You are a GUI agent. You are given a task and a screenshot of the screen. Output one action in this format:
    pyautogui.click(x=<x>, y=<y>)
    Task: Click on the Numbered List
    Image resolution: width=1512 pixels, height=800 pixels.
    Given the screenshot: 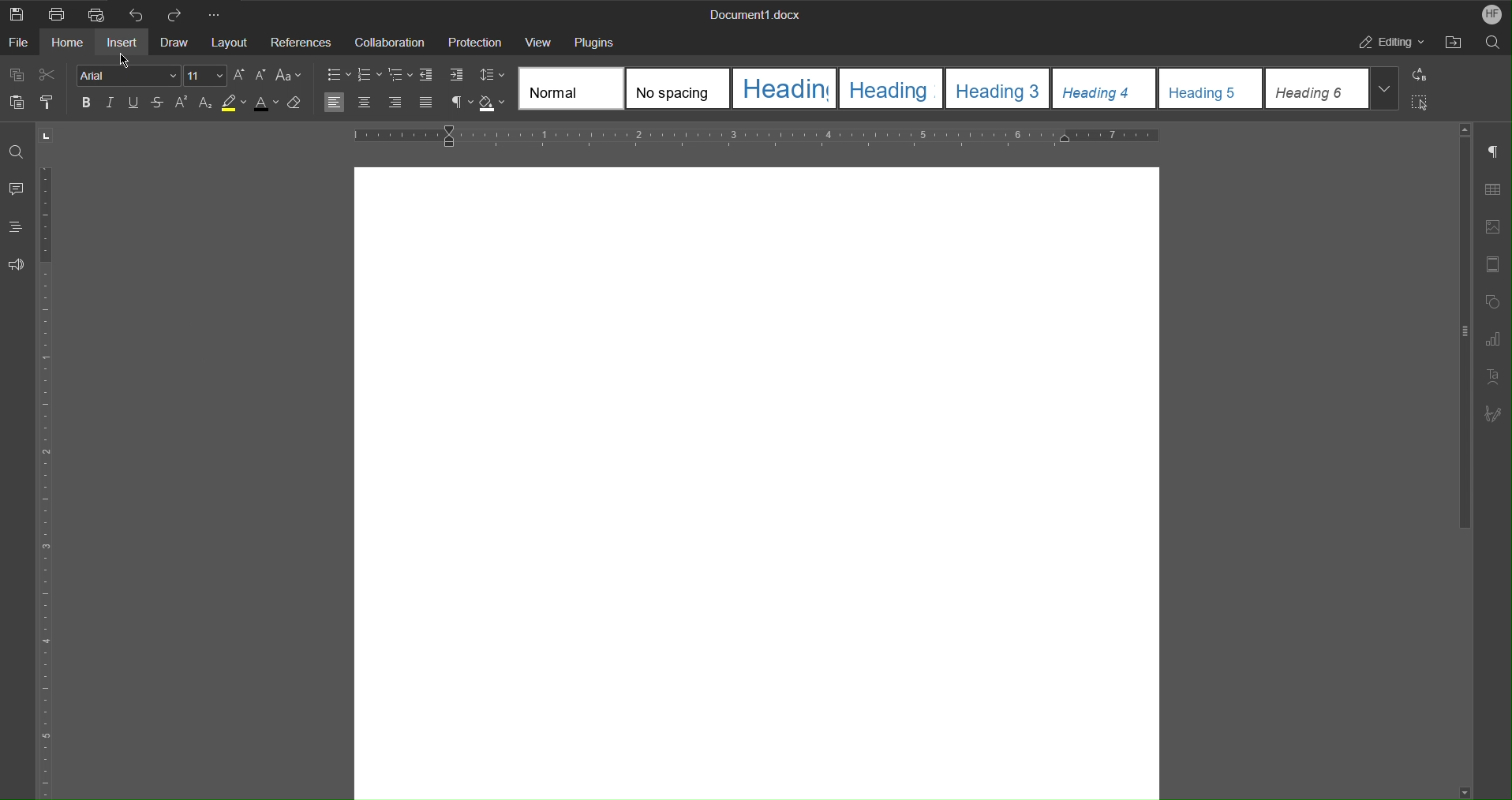 What is the action you would take?
    pyautogui.click(x=368, y=74)
    